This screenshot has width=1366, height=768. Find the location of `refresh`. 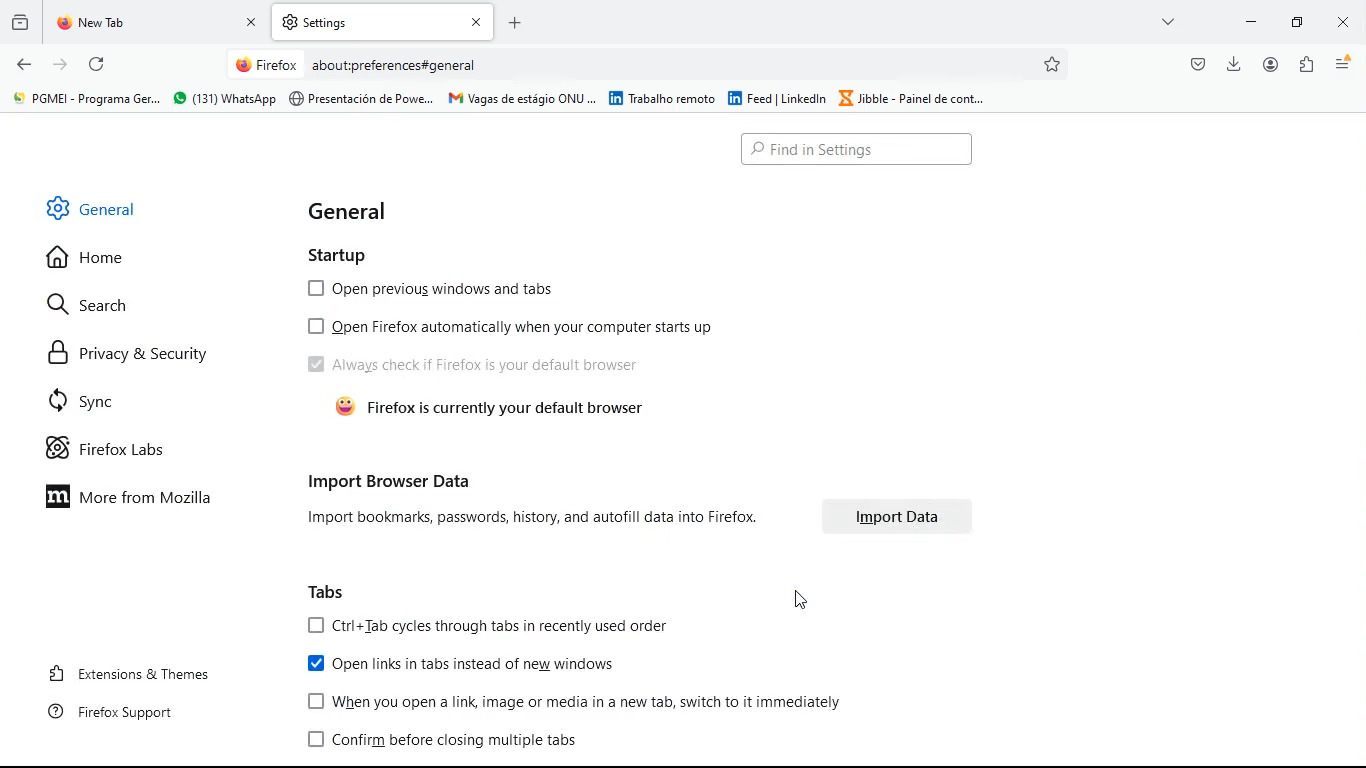

refresh is located at coordinates (99, 66).